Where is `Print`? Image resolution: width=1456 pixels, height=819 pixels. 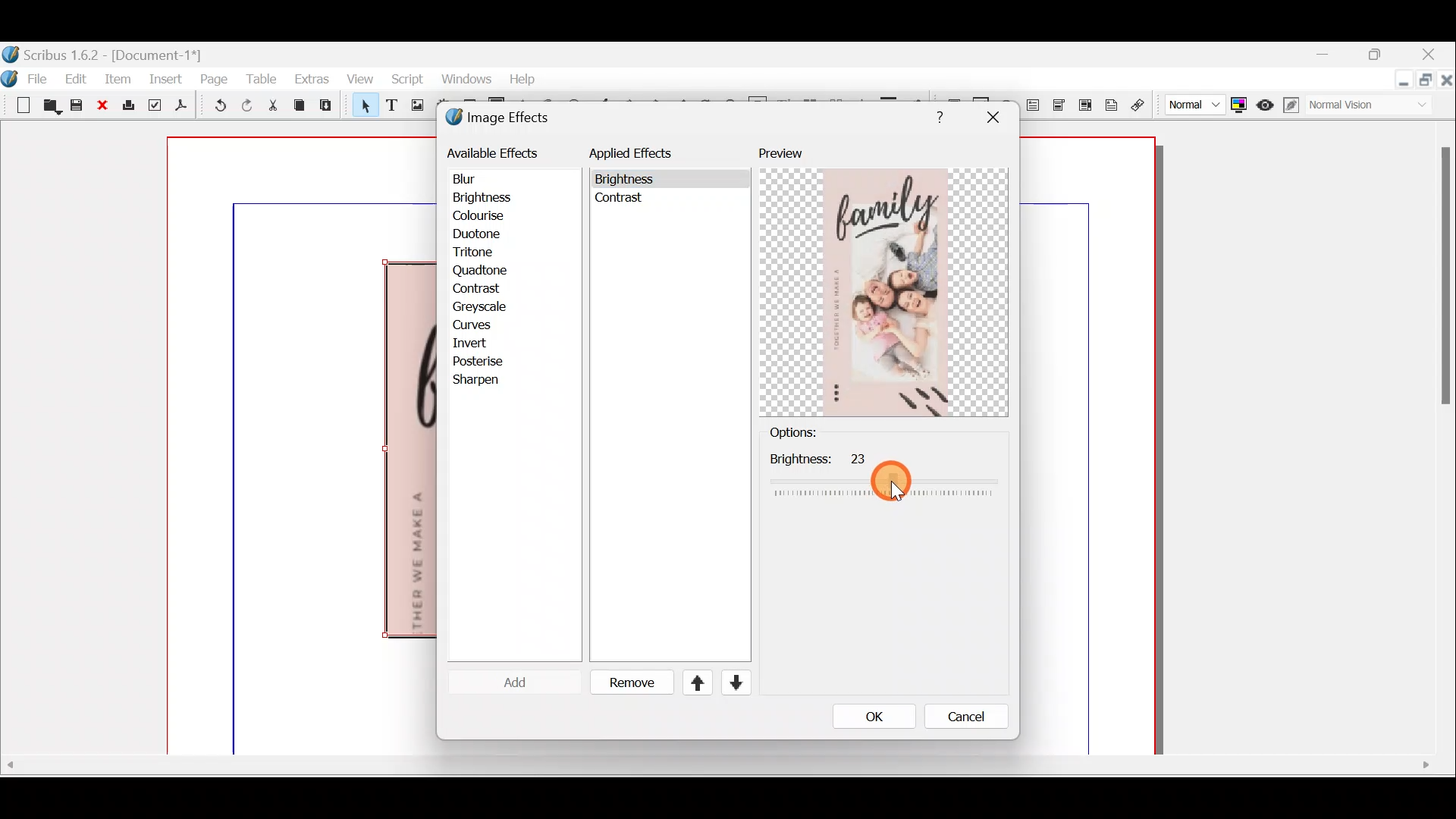 Print is located at coordinates (127, 106).